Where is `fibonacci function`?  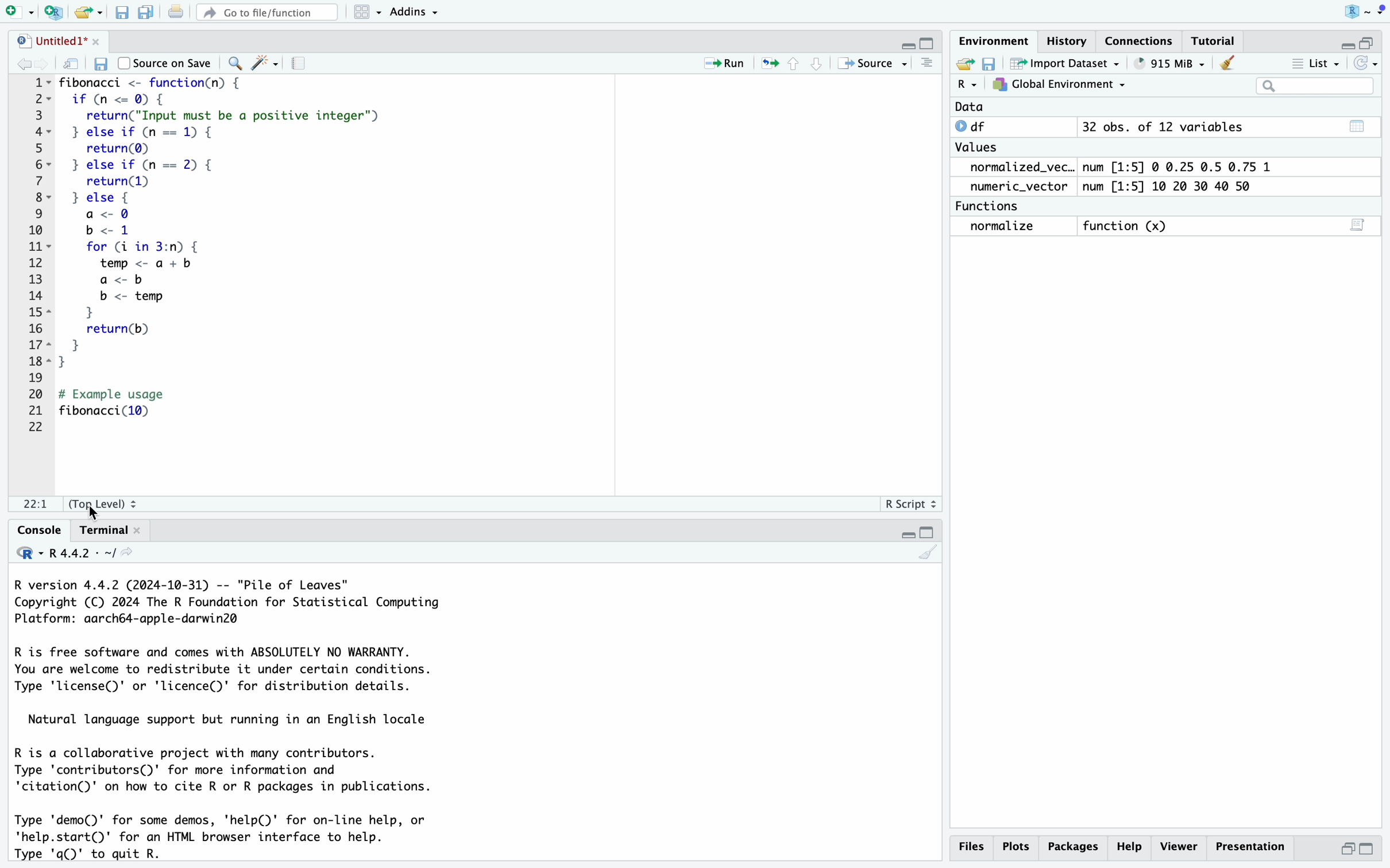
fibonacci function is located at coordinates (157, 84).